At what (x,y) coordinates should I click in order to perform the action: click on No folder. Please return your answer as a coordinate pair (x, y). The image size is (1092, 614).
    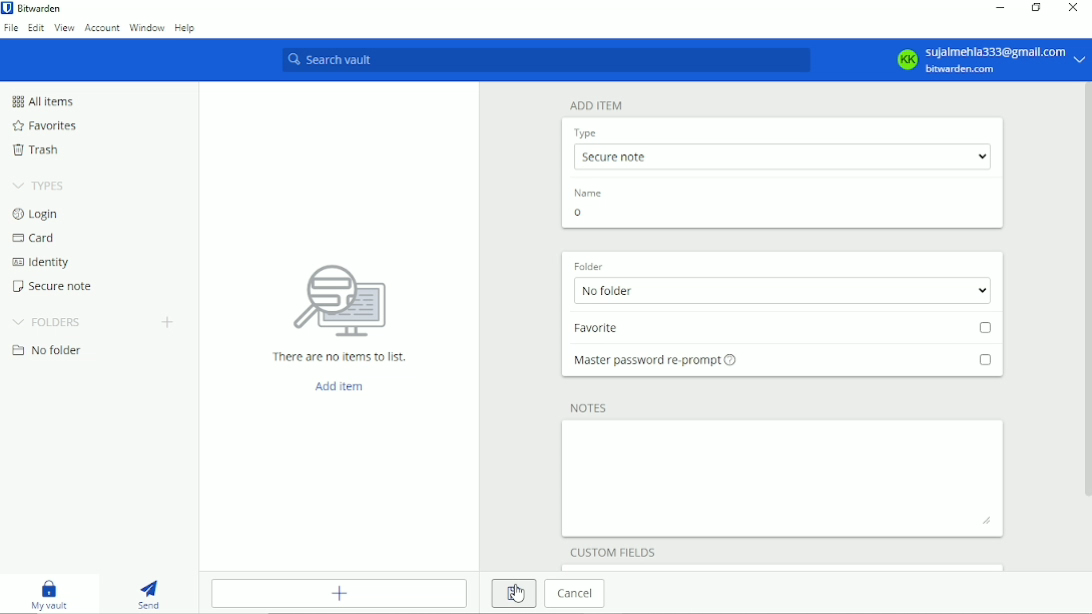
    Looking at the image, I should click on (47, 351).